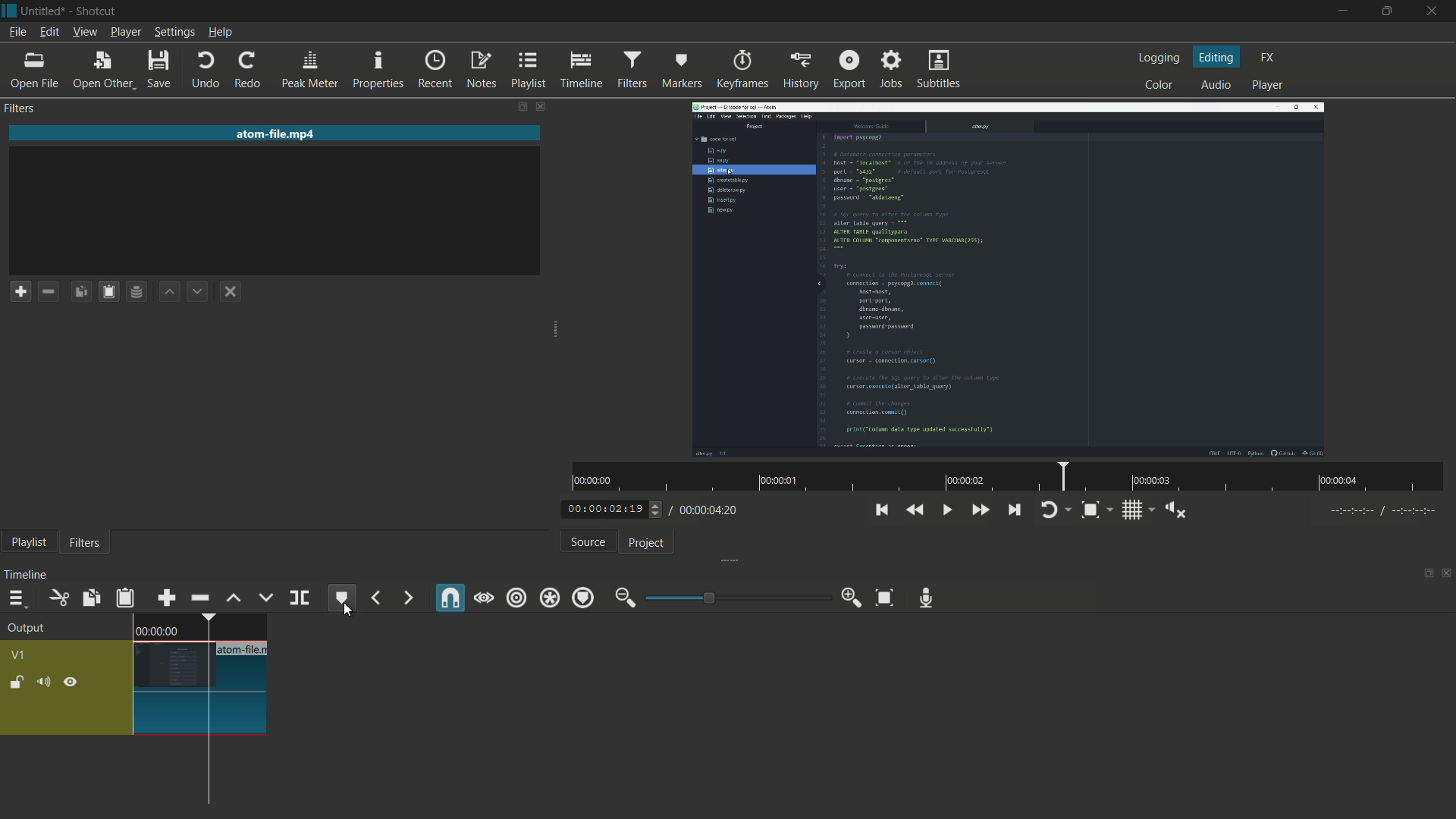 The height and width of the screenshot is (819, 1456). I want to click on copy checked filters, so click(107, 291).